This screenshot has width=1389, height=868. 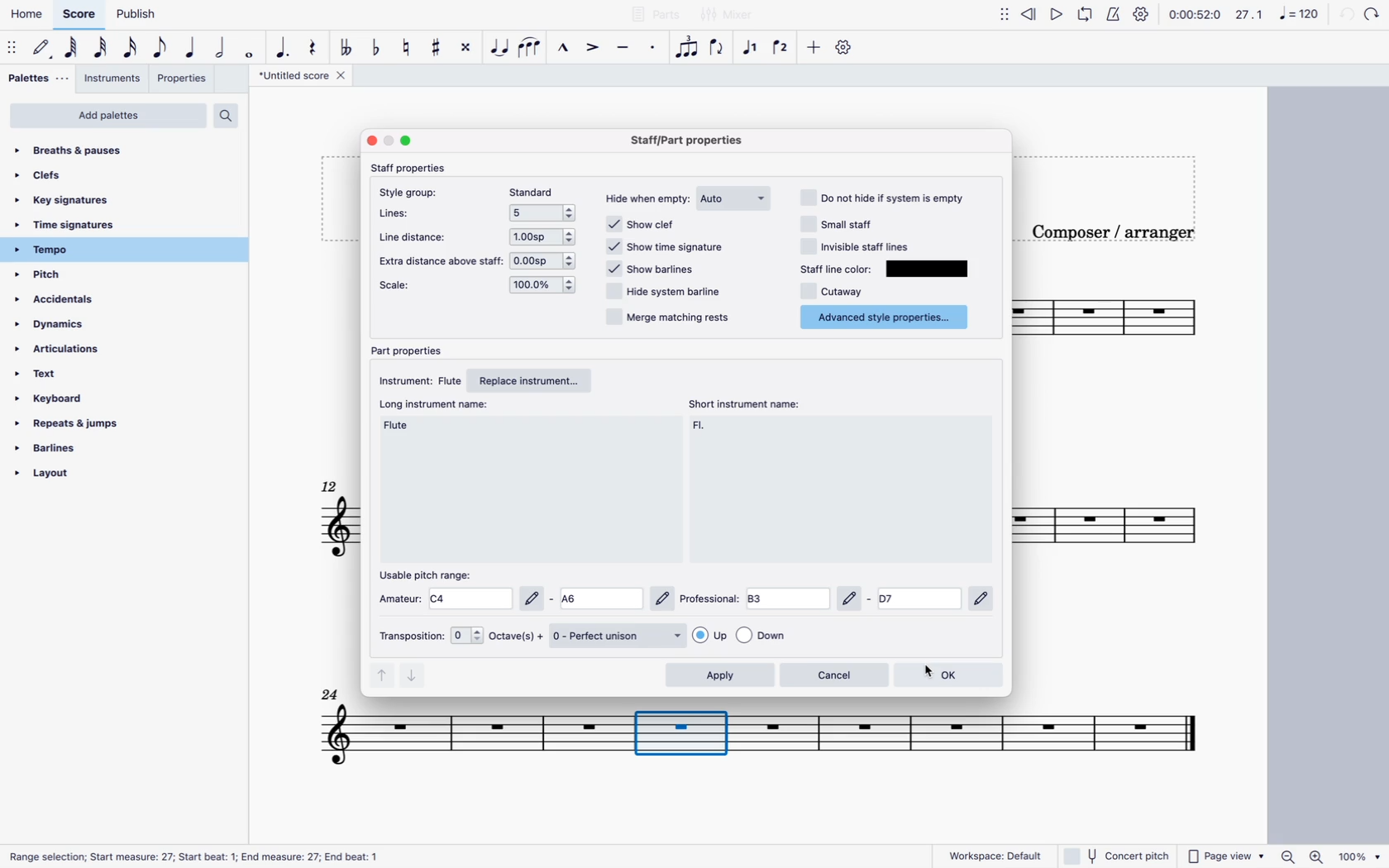 I want to click on settings, so click(x=846, y=49).